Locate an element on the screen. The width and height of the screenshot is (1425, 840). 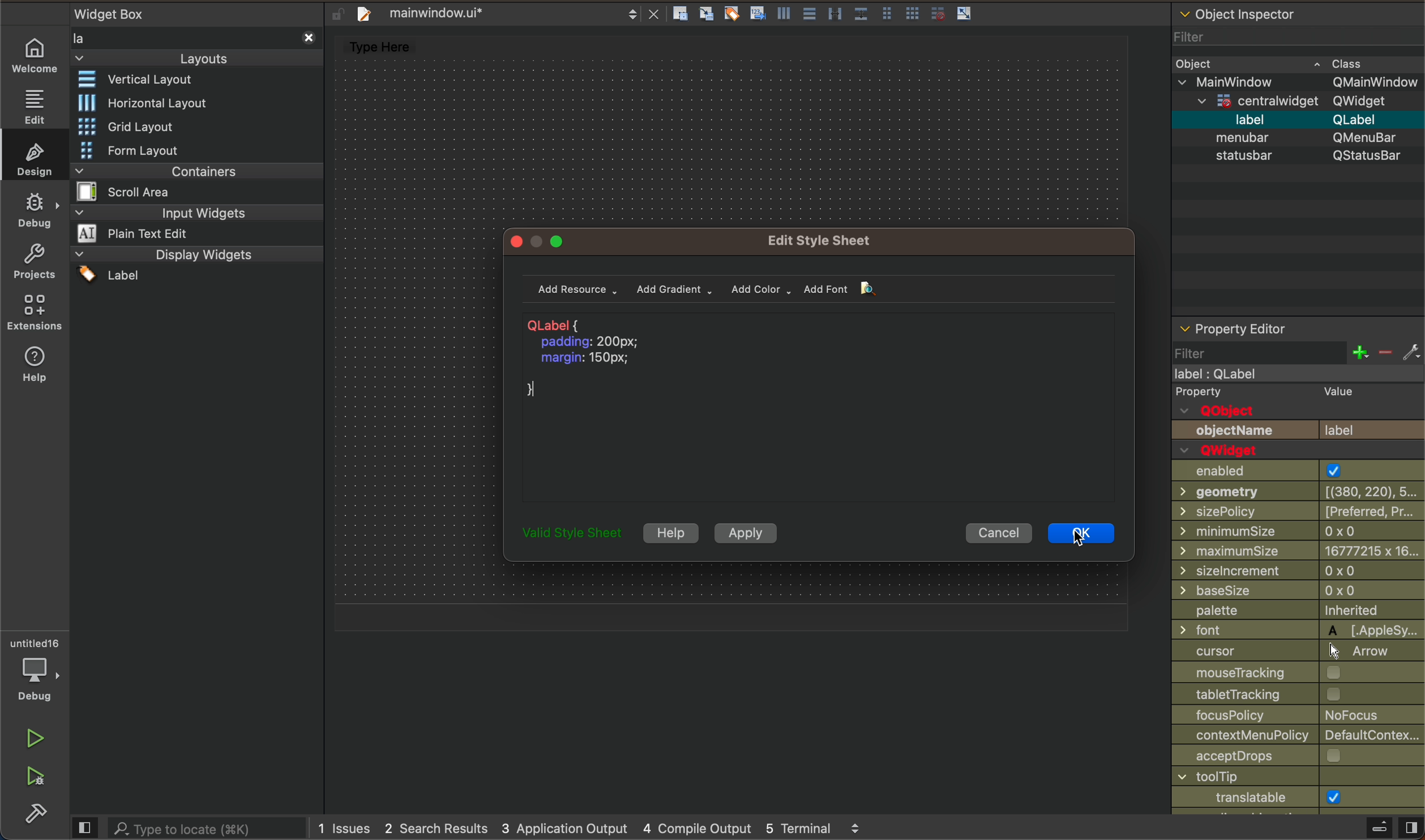
min size is located at coordinates (1298, 550).